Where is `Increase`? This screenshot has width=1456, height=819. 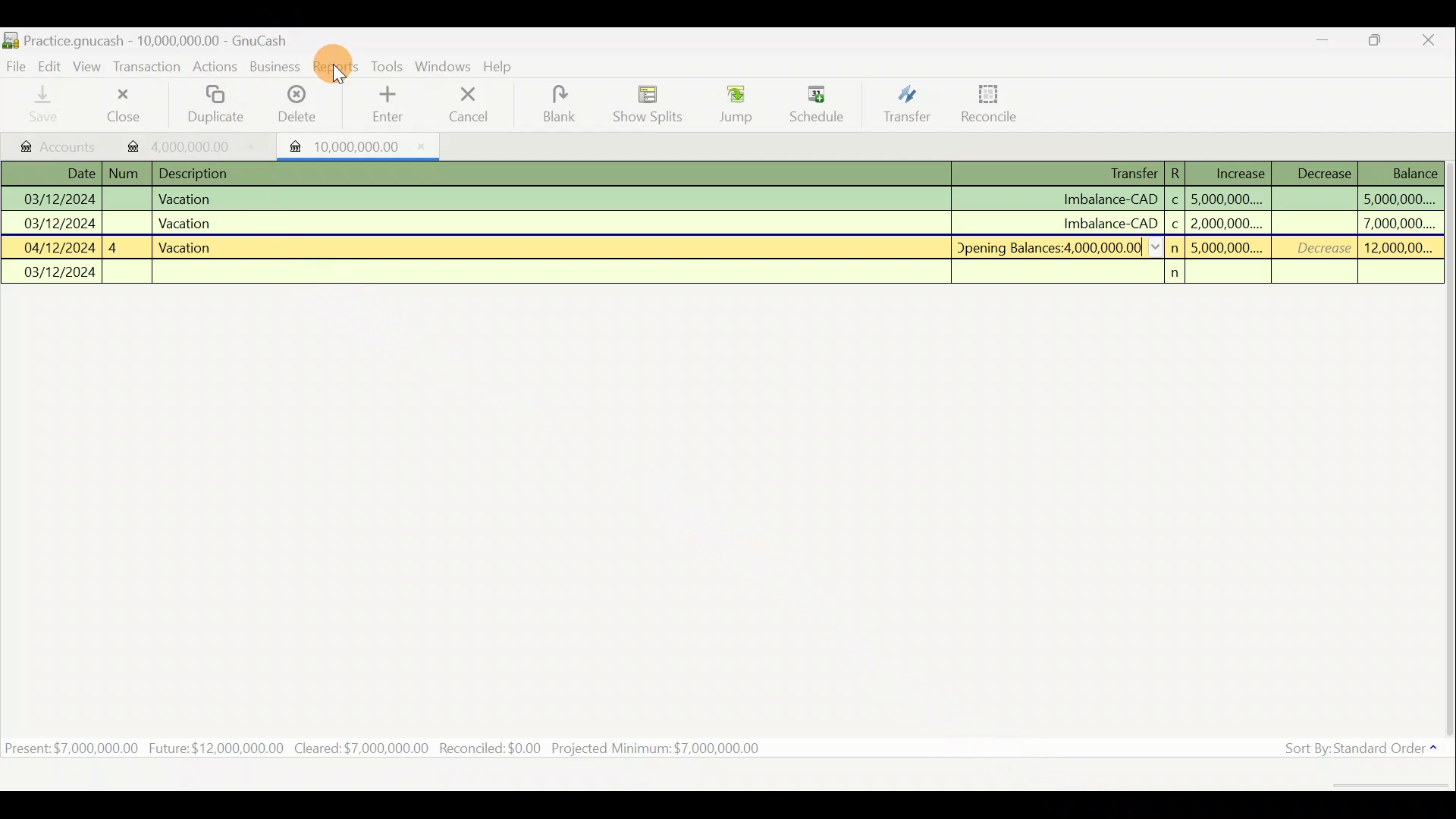
Increase is located at coordinates (1241, 174).